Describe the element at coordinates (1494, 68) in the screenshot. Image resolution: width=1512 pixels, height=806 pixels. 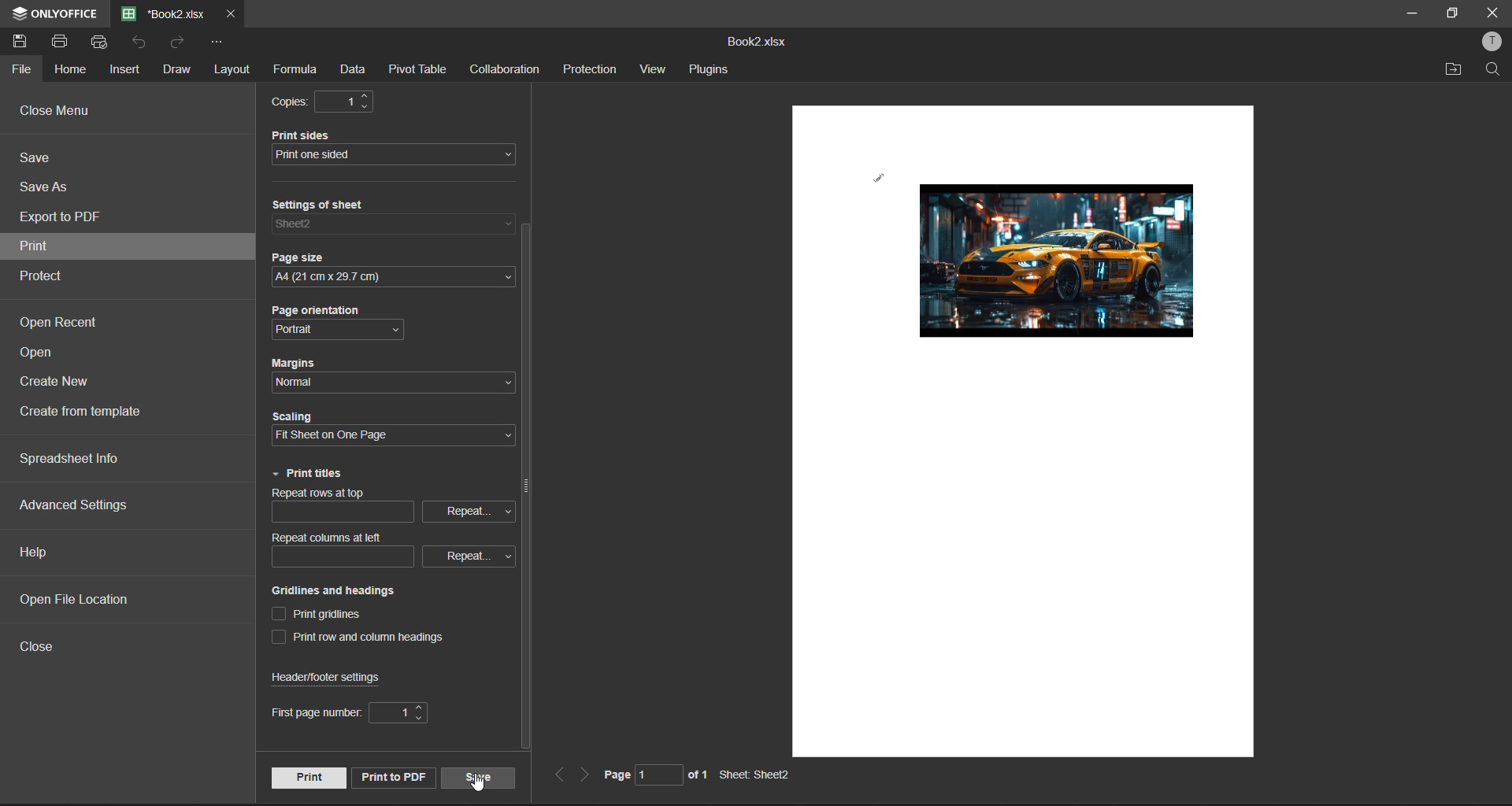
I see `find` at that location.